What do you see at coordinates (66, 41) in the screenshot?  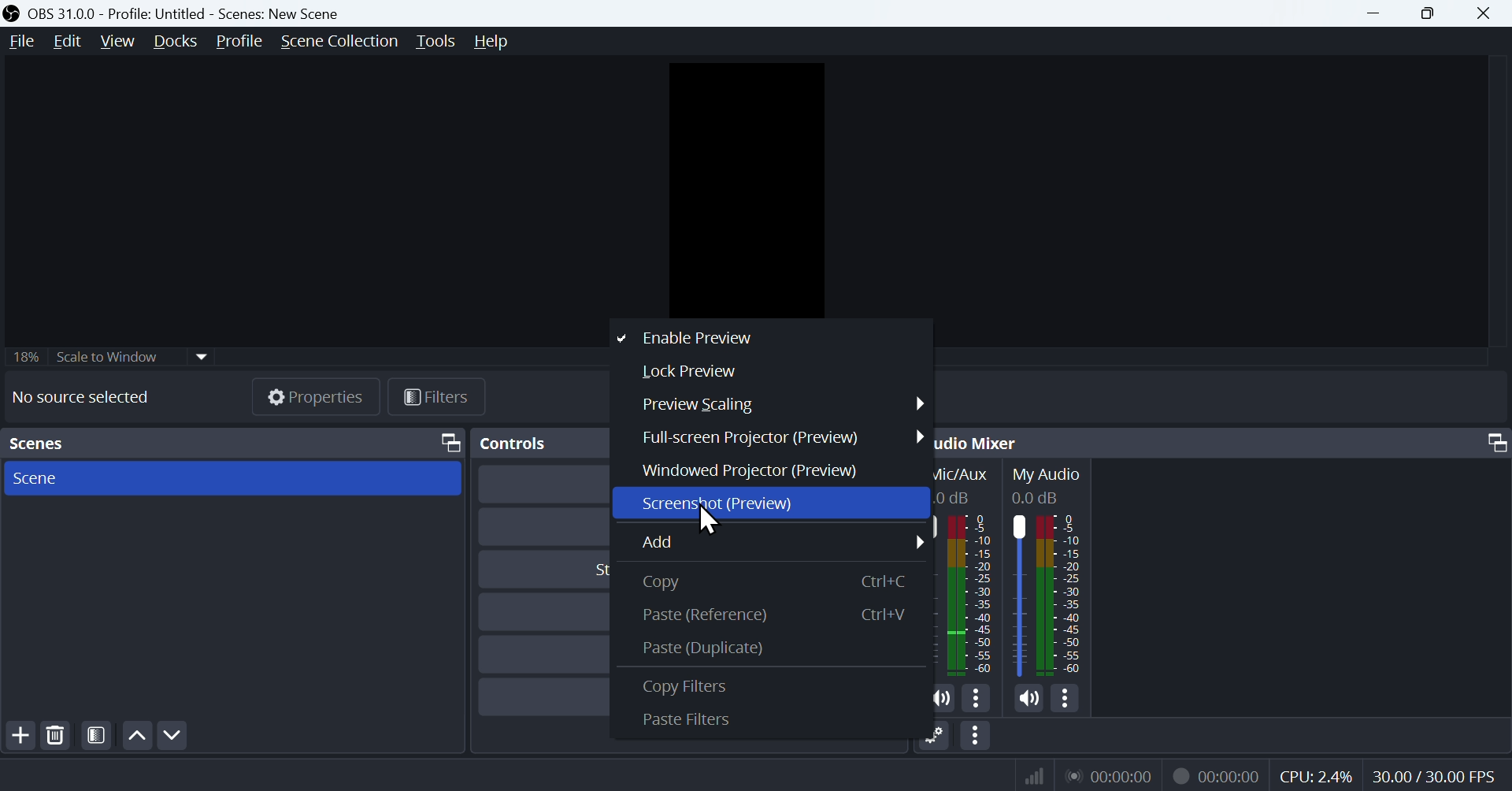 I see `Edit` at bounding box center [66, 41].